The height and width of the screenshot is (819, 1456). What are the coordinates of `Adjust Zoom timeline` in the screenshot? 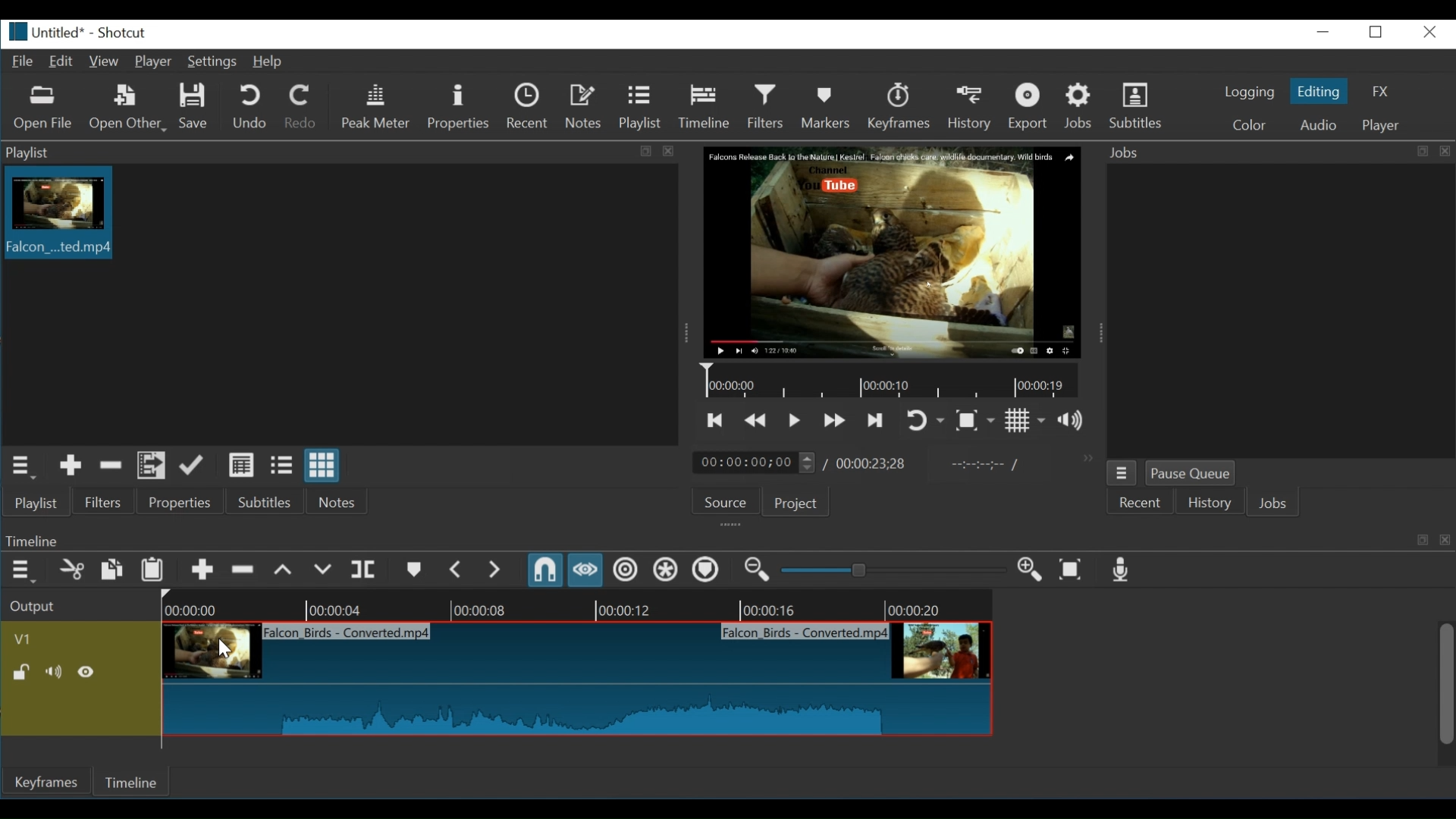 It's located at (891, 570).